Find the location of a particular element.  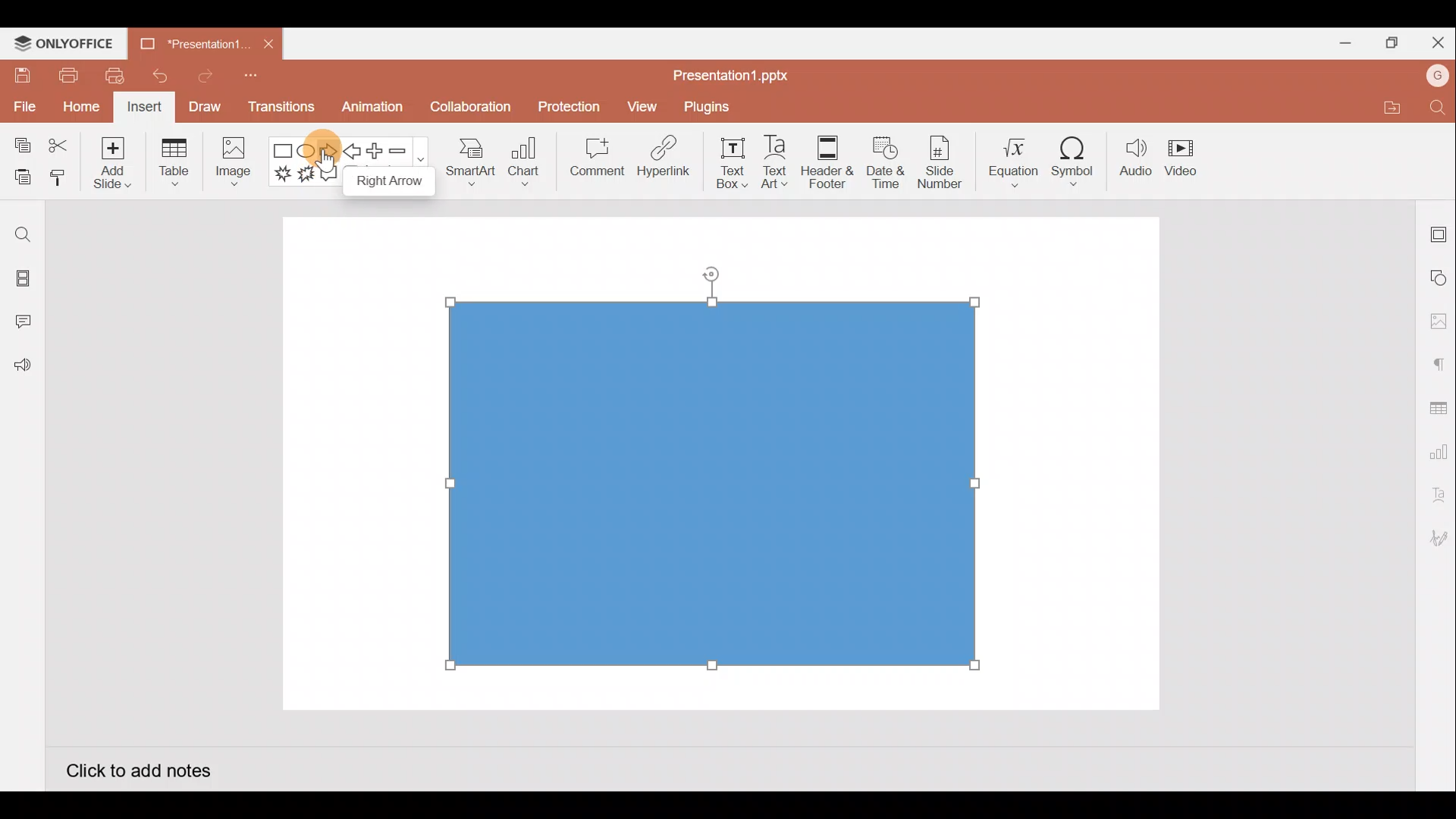

Minus is located at coordinates (406, 149).